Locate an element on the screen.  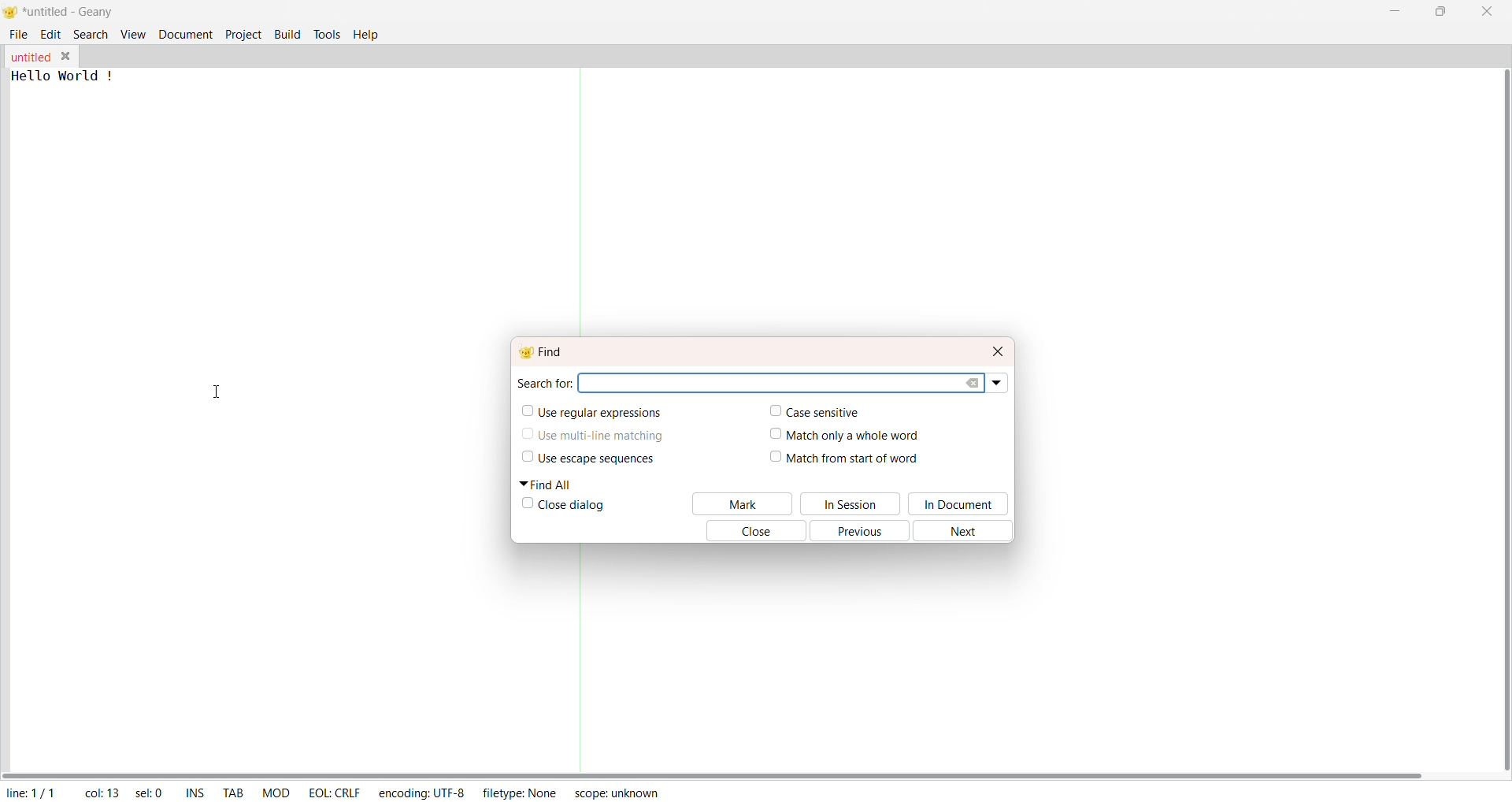
Col: 13 is located at coordinates (98, 790).